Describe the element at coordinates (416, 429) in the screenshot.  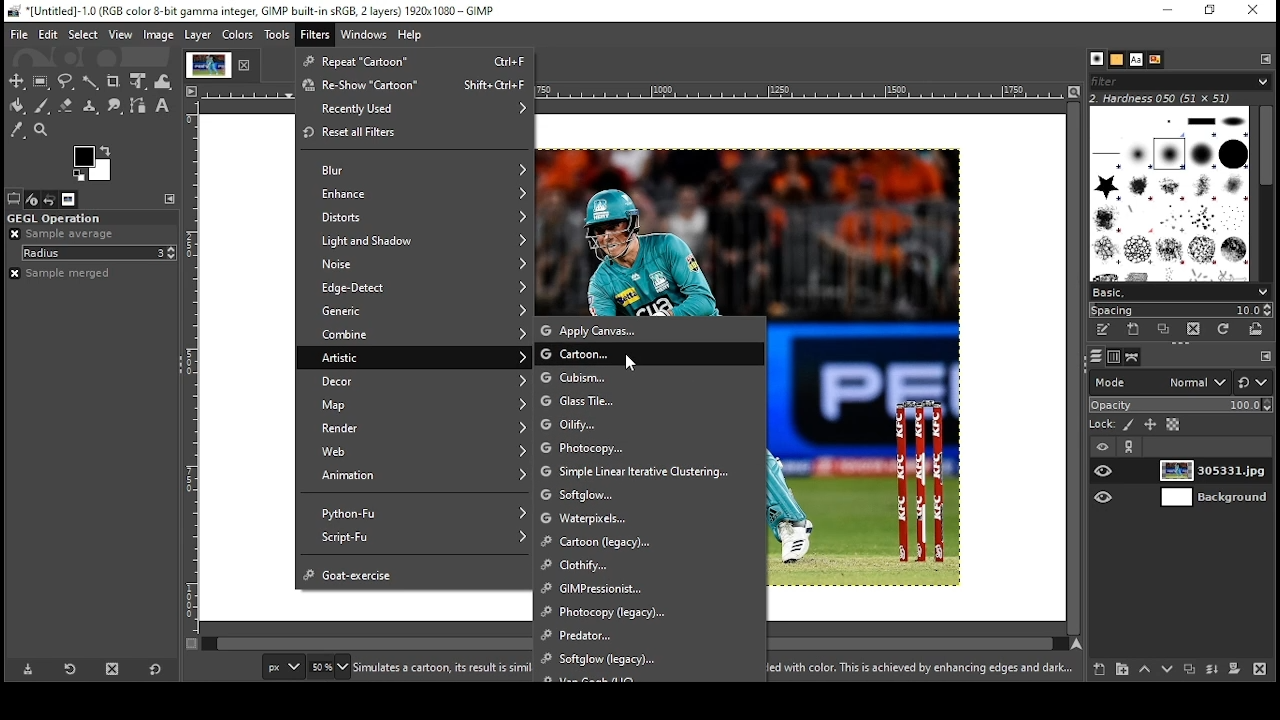
I see `render` at that location.